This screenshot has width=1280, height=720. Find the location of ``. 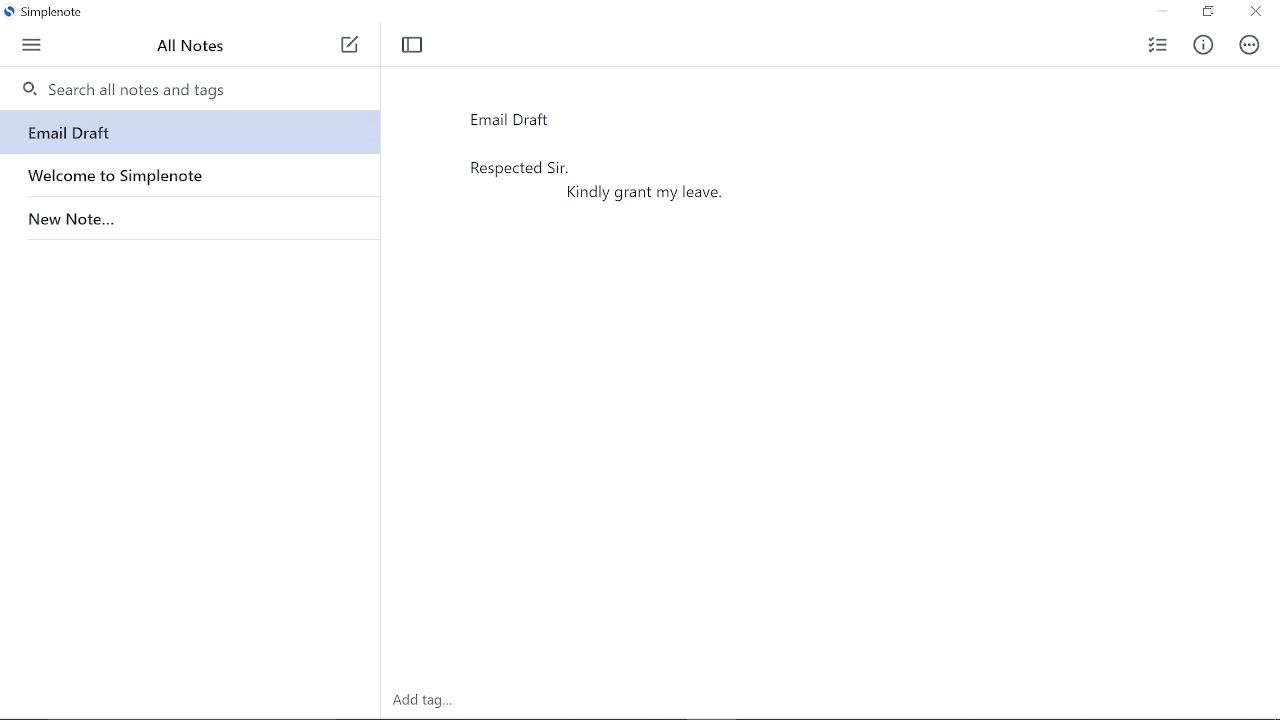

 is located at coordinates (428, 698).